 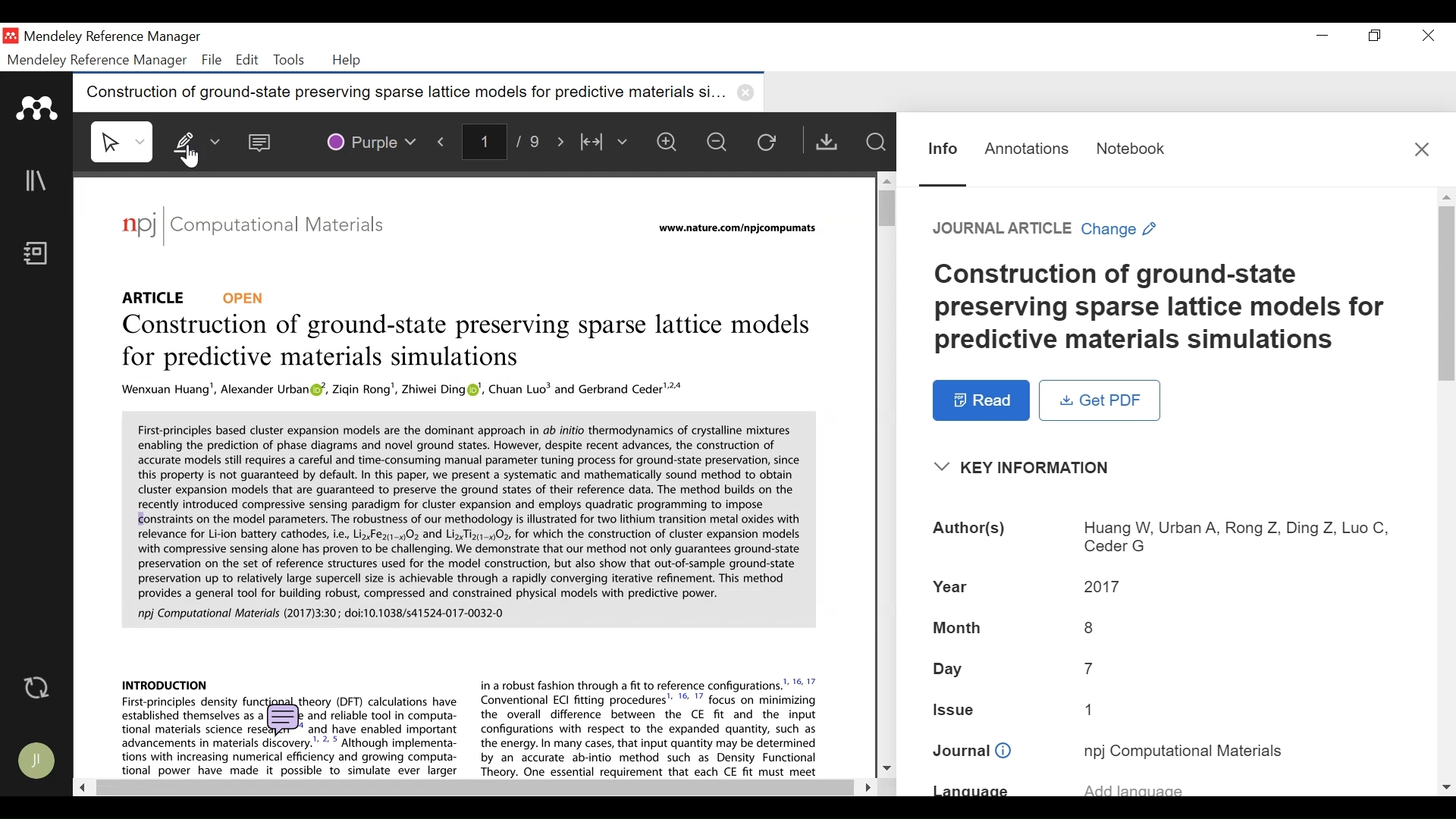 I want to click on Title, so click(x=1163, y=308).